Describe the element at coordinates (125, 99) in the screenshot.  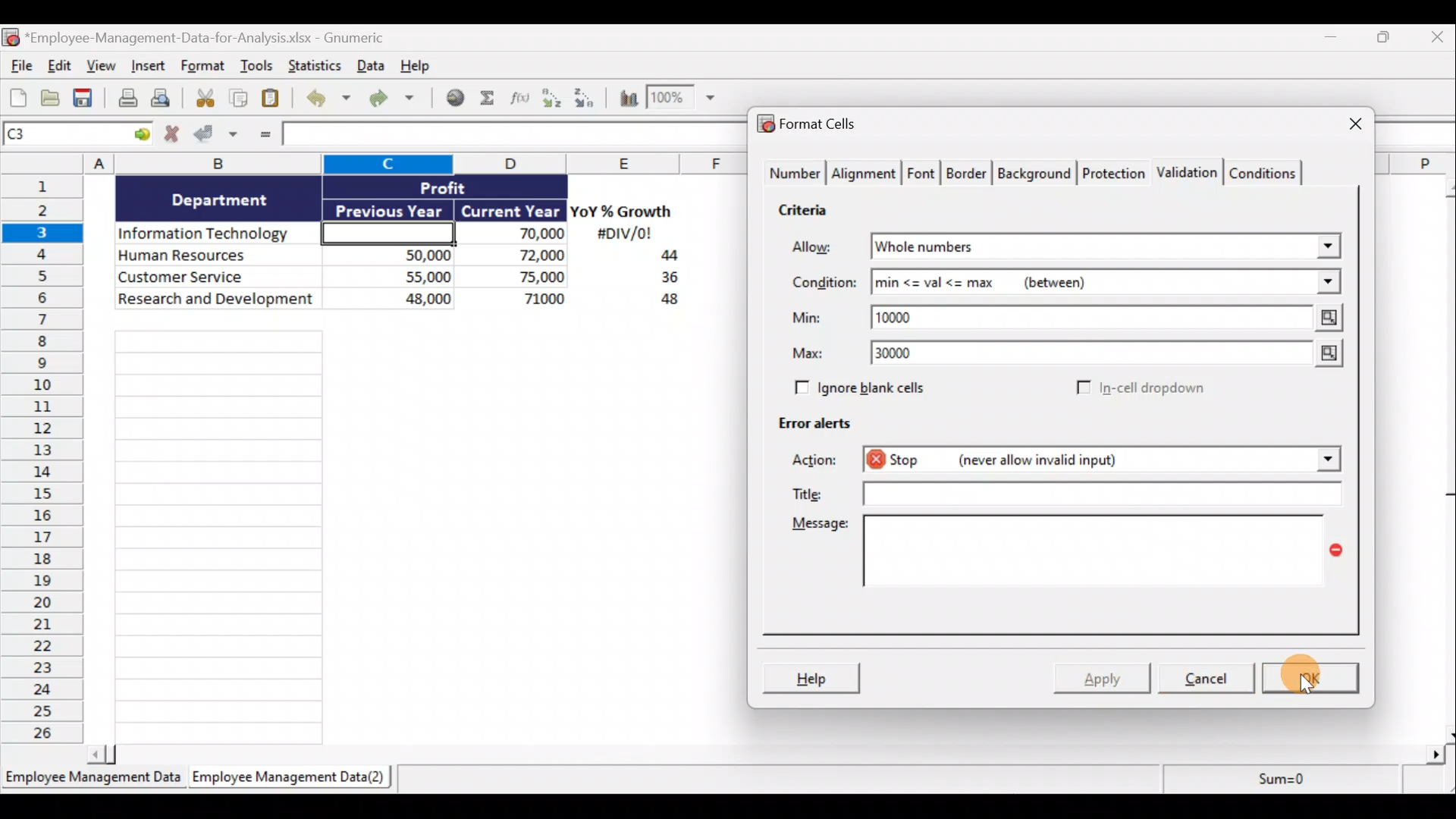
I see `Print current file` at that location.